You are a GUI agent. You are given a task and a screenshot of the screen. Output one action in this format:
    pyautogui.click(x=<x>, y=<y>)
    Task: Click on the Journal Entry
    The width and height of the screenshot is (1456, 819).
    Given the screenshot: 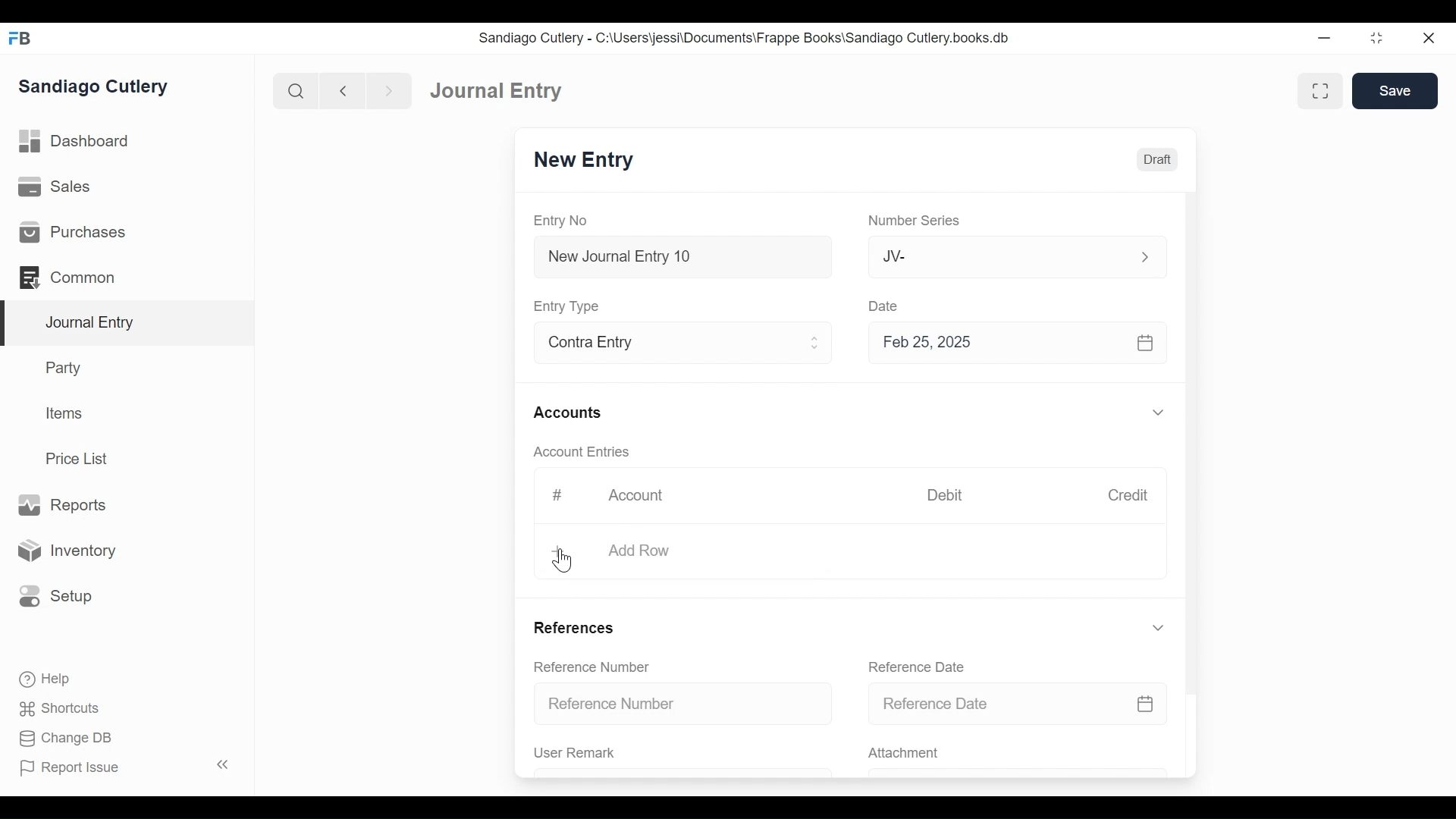 What is the action you would take?
    pyautogui.click(x=128, y=323)
    